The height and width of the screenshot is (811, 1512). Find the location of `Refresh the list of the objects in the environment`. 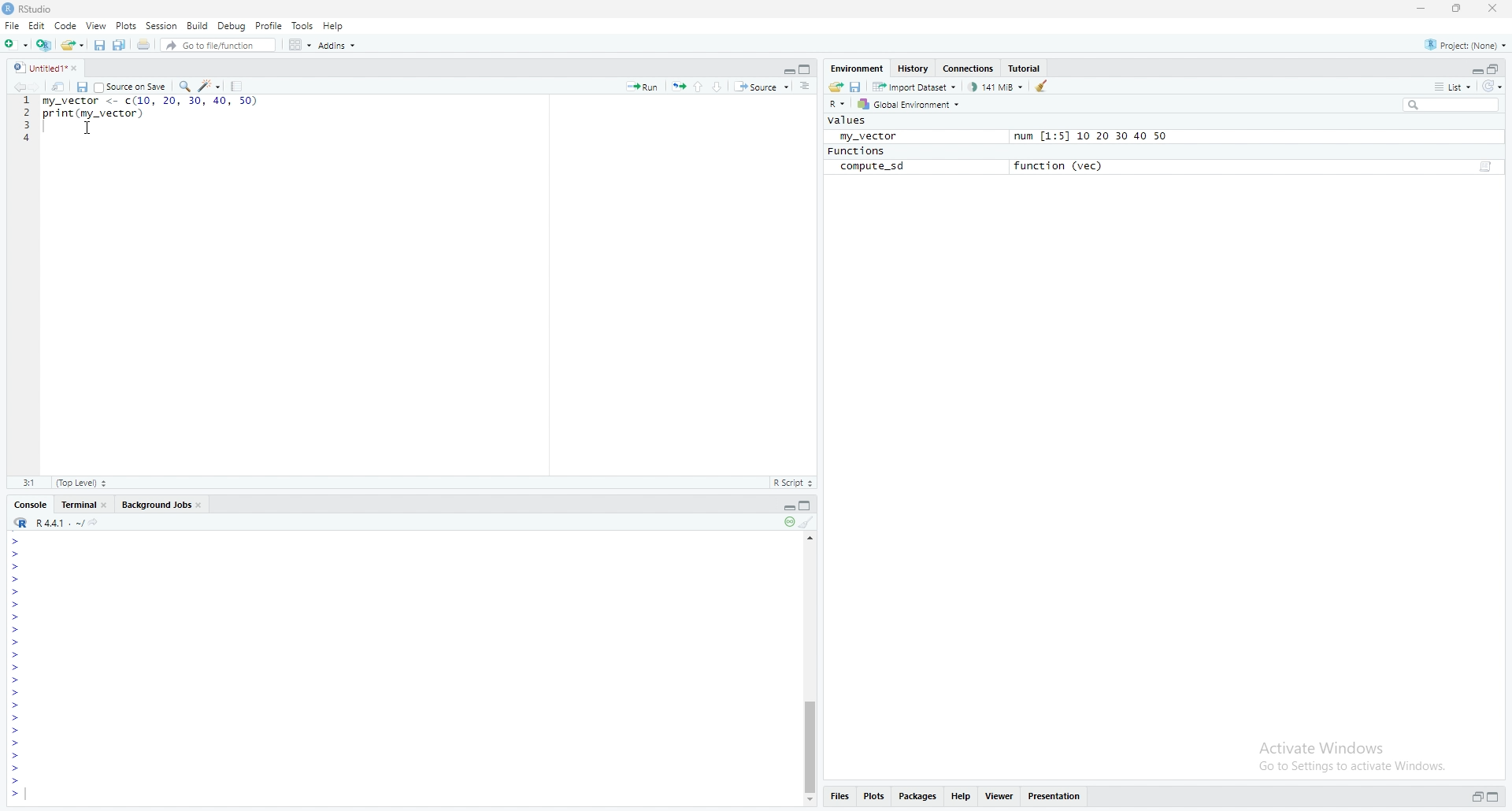

Refresh the list of the objects in the environment is located at coordinates (1495, 87).